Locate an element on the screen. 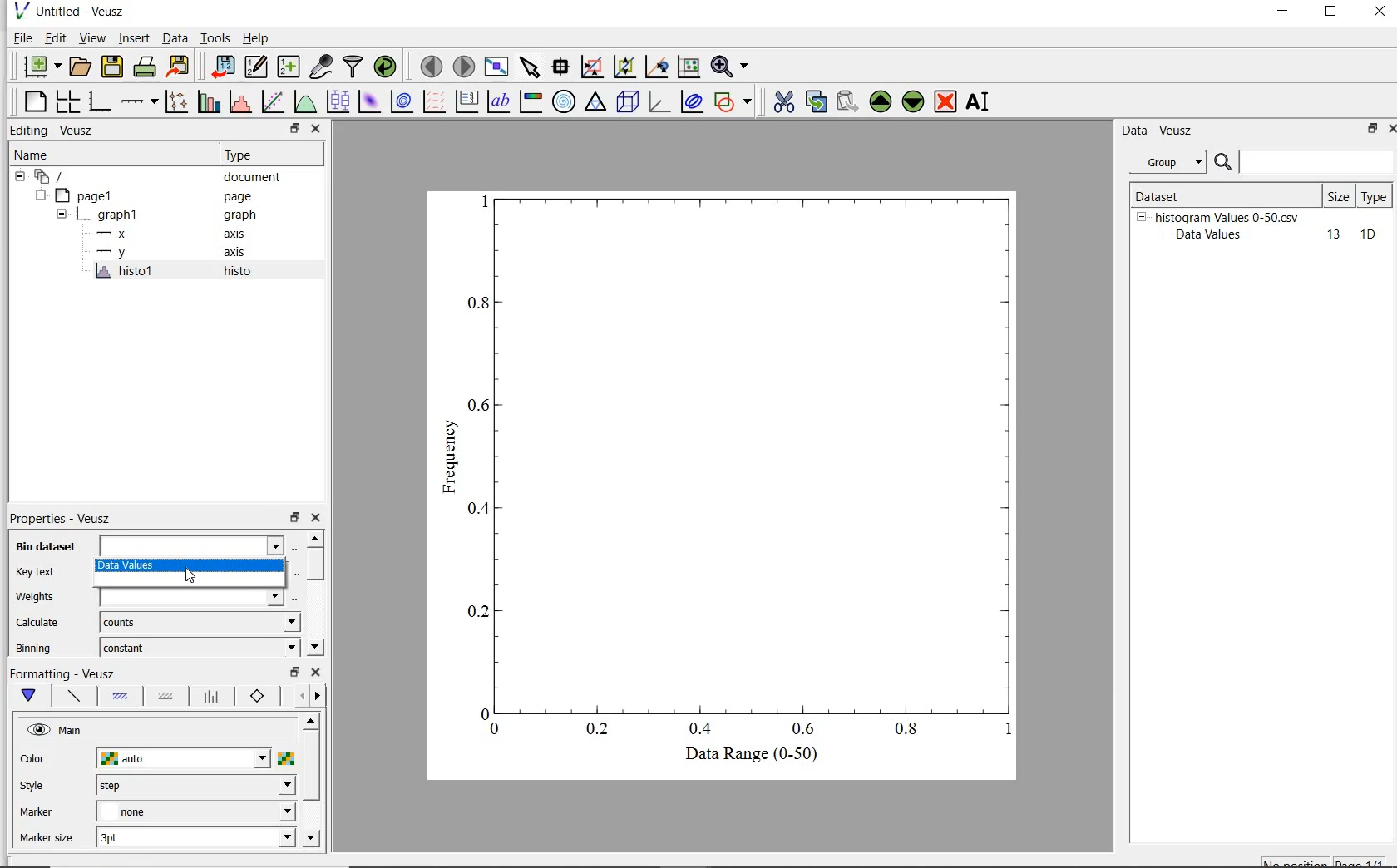 Image resolution: width=1397 pixels, height=868 pixels. Bin dataset is located at coordinates (47, 546).